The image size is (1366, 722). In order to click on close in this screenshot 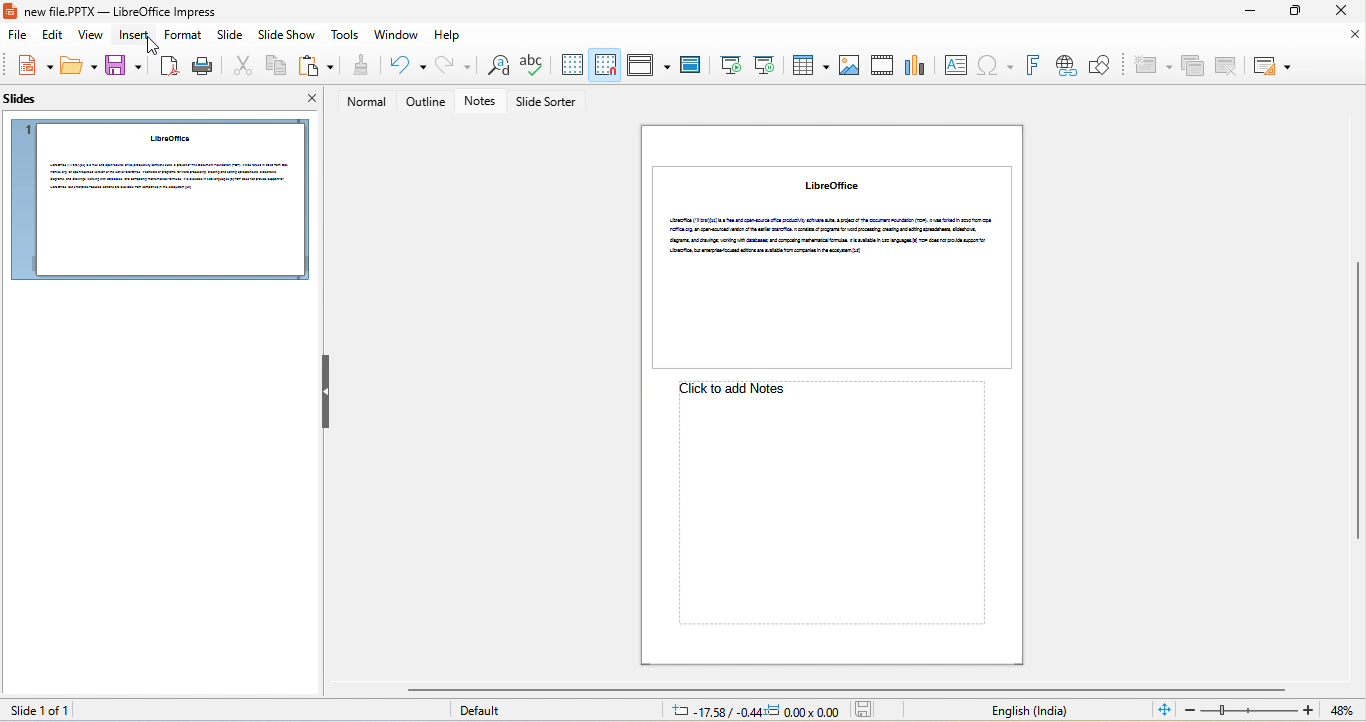, I will do `click(304, 101)`.